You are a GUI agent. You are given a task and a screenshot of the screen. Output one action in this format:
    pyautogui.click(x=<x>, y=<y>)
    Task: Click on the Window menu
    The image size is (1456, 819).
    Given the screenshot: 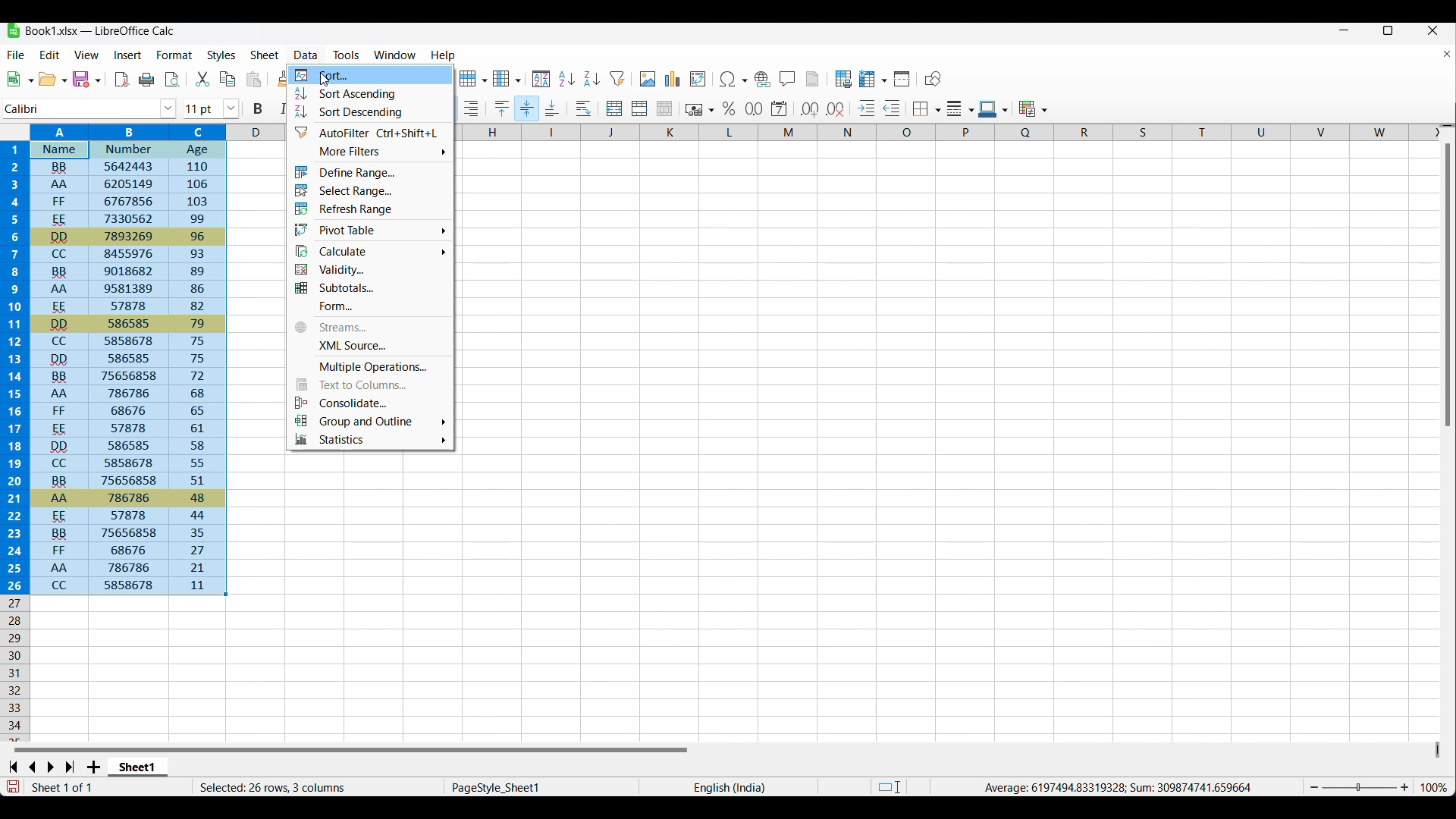 What is the action you would take?
    pyautogui.click(x=395, y=55)
    